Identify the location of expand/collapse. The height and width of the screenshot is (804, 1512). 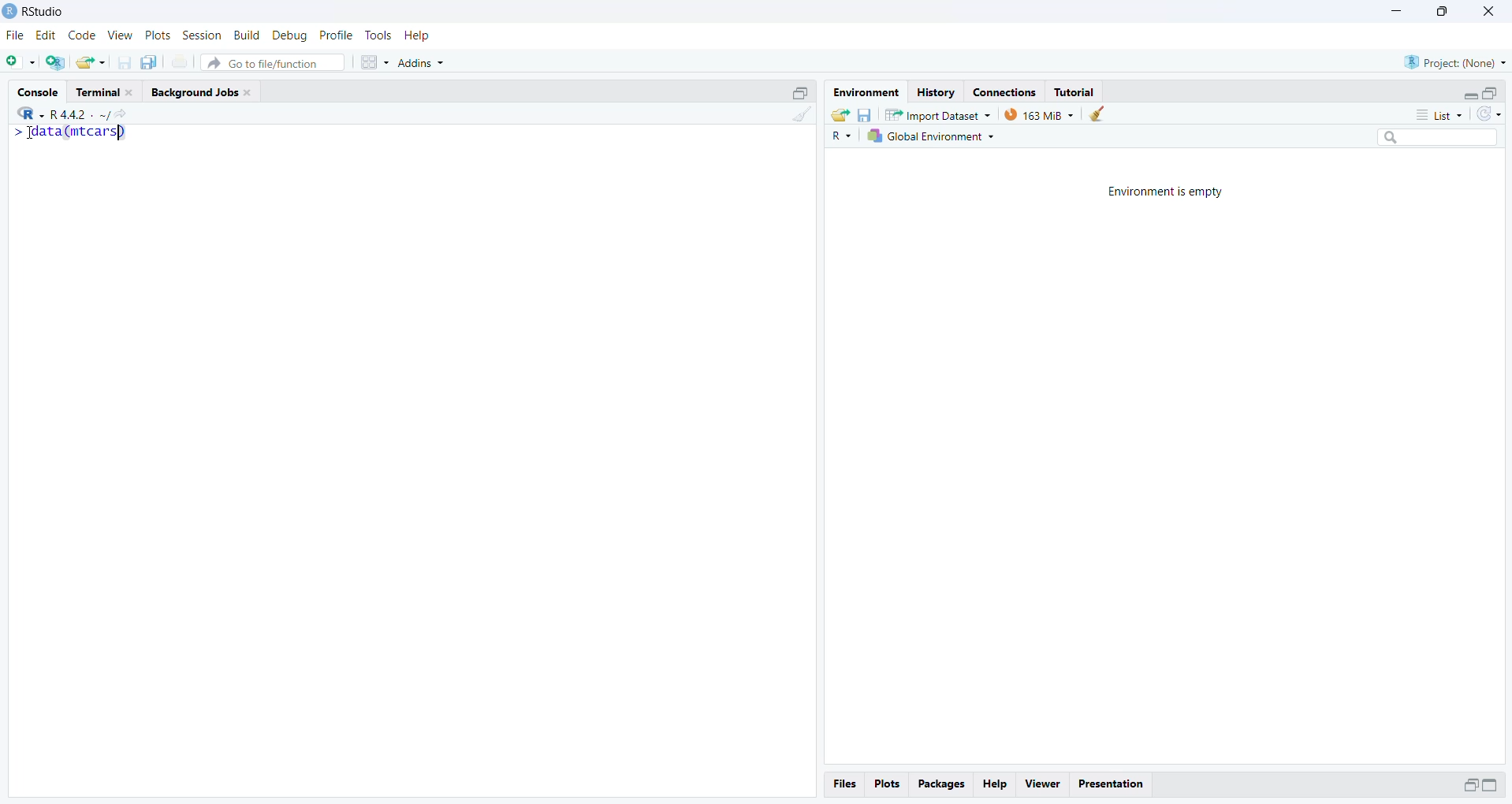
(1491, 784).